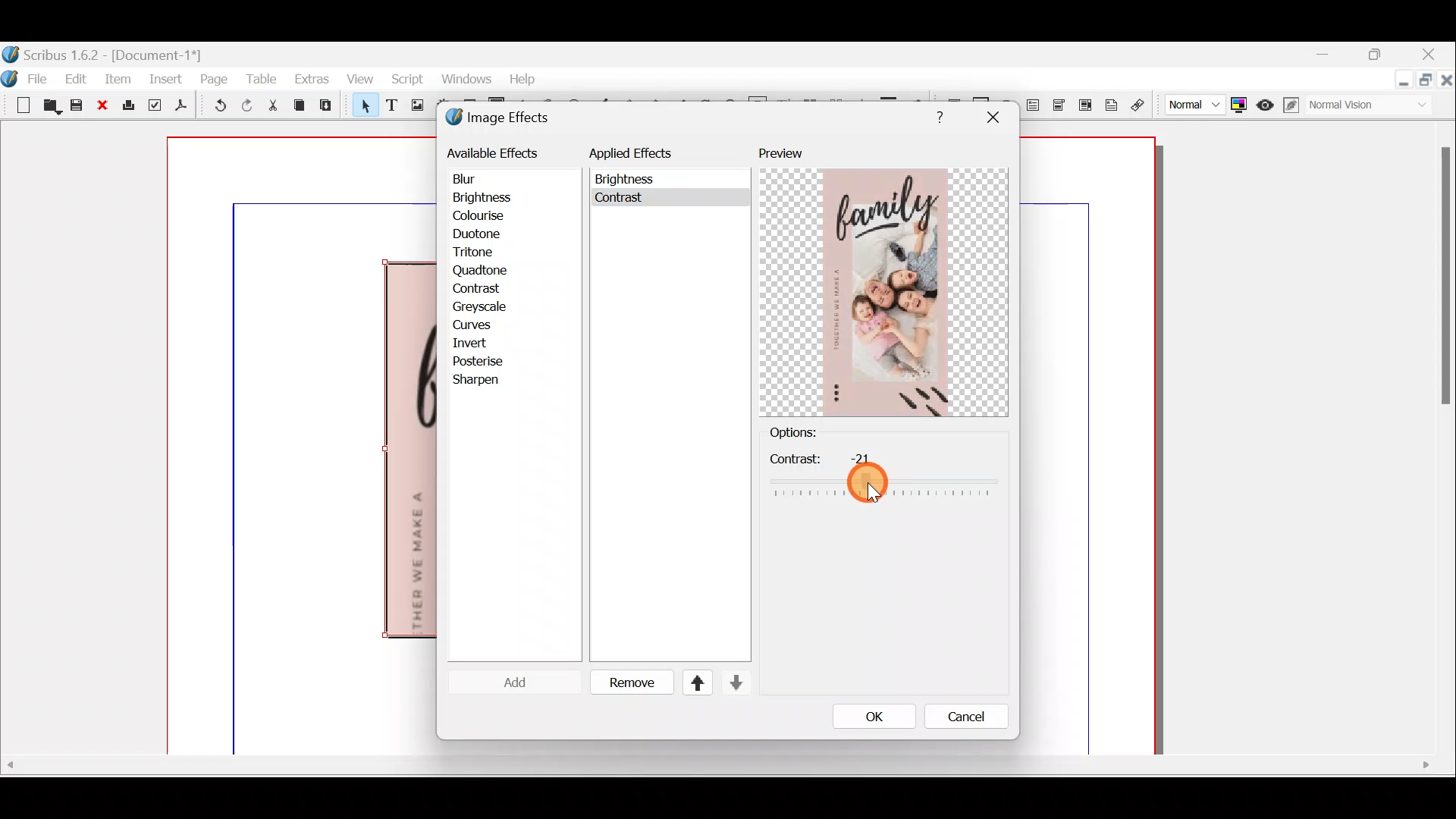  What do you see at coordinates (104, 53) in the screenshot?
I see `Document name` at bounding box center [104, 53].